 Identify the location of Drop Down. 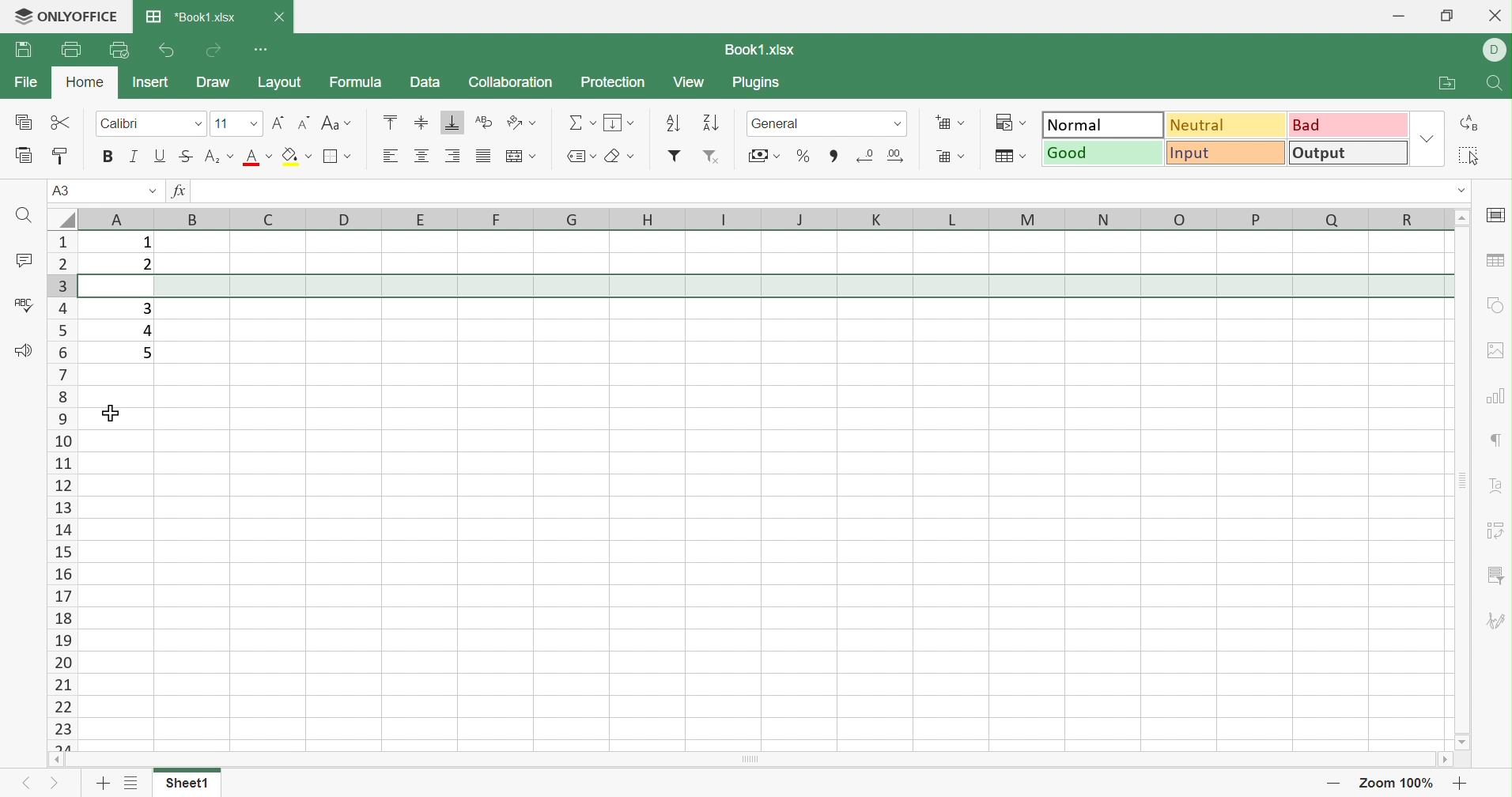
(961, 123).